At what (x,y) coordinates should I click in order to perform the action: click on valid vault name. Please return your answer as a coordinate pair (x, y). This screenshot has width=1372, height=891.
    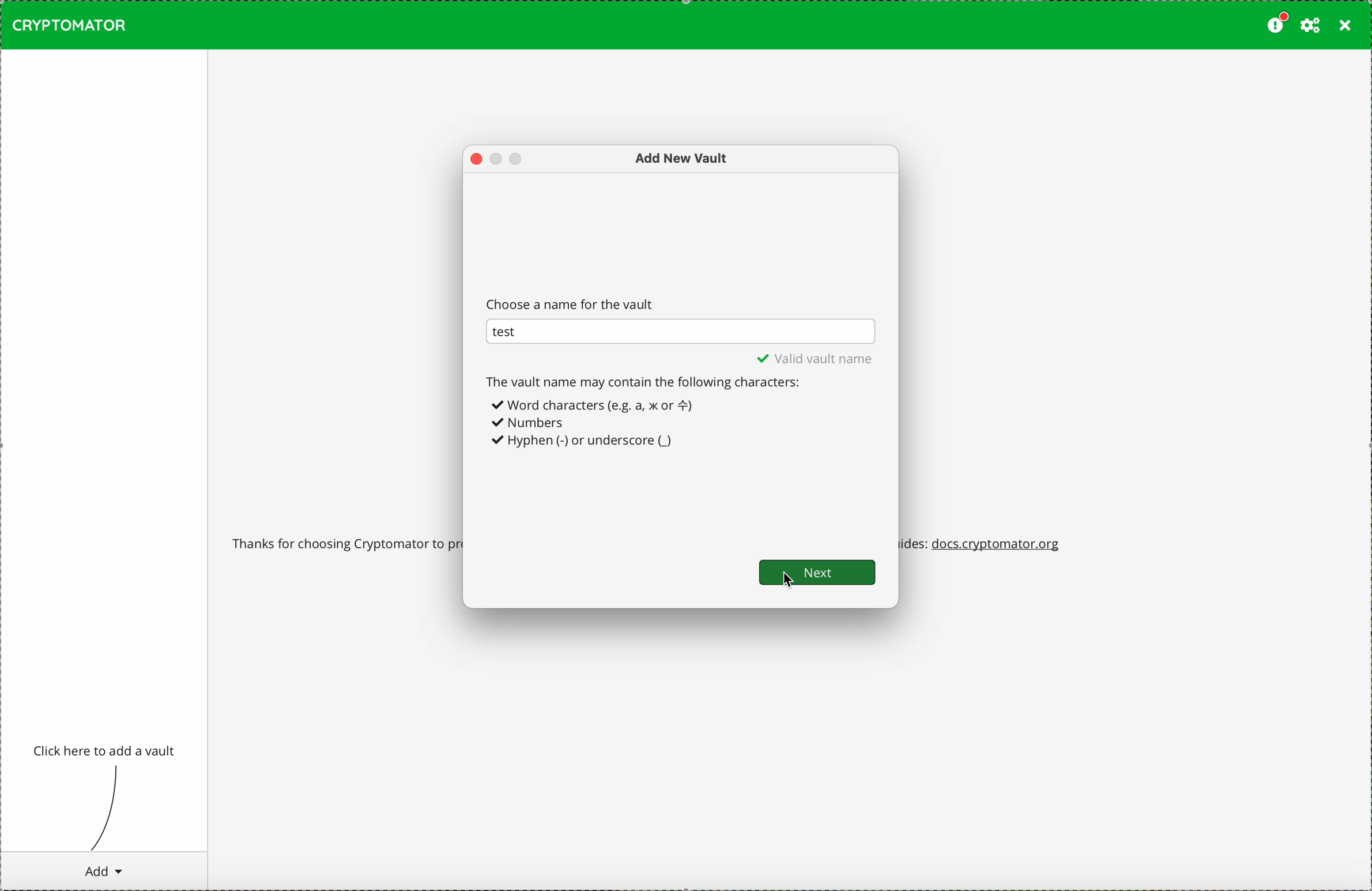
    Looking at the image, I should click on (817, 360).